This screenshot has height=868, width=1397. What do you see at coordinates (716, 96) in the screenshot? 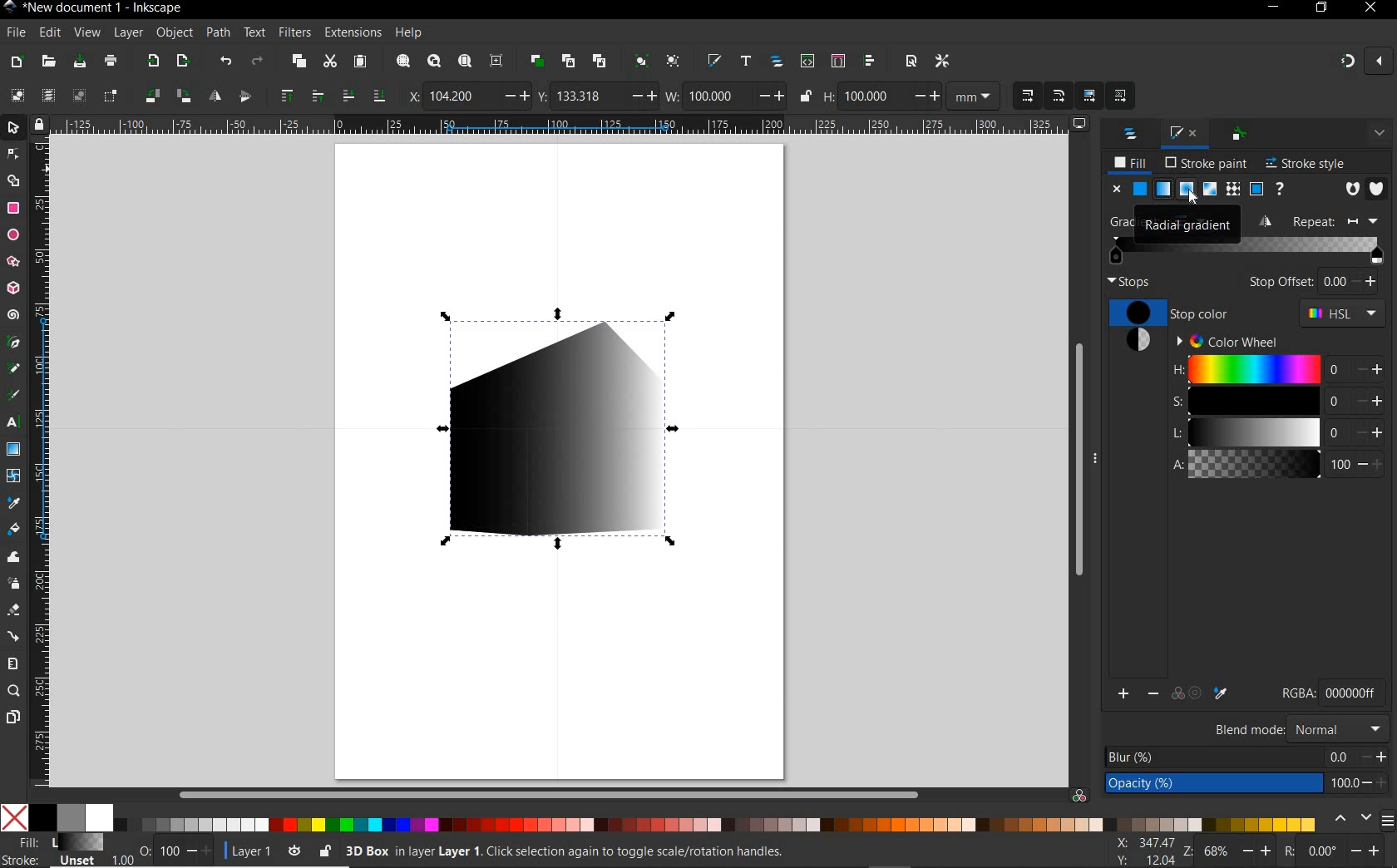
I see `100` at bounding box center [716, 96].